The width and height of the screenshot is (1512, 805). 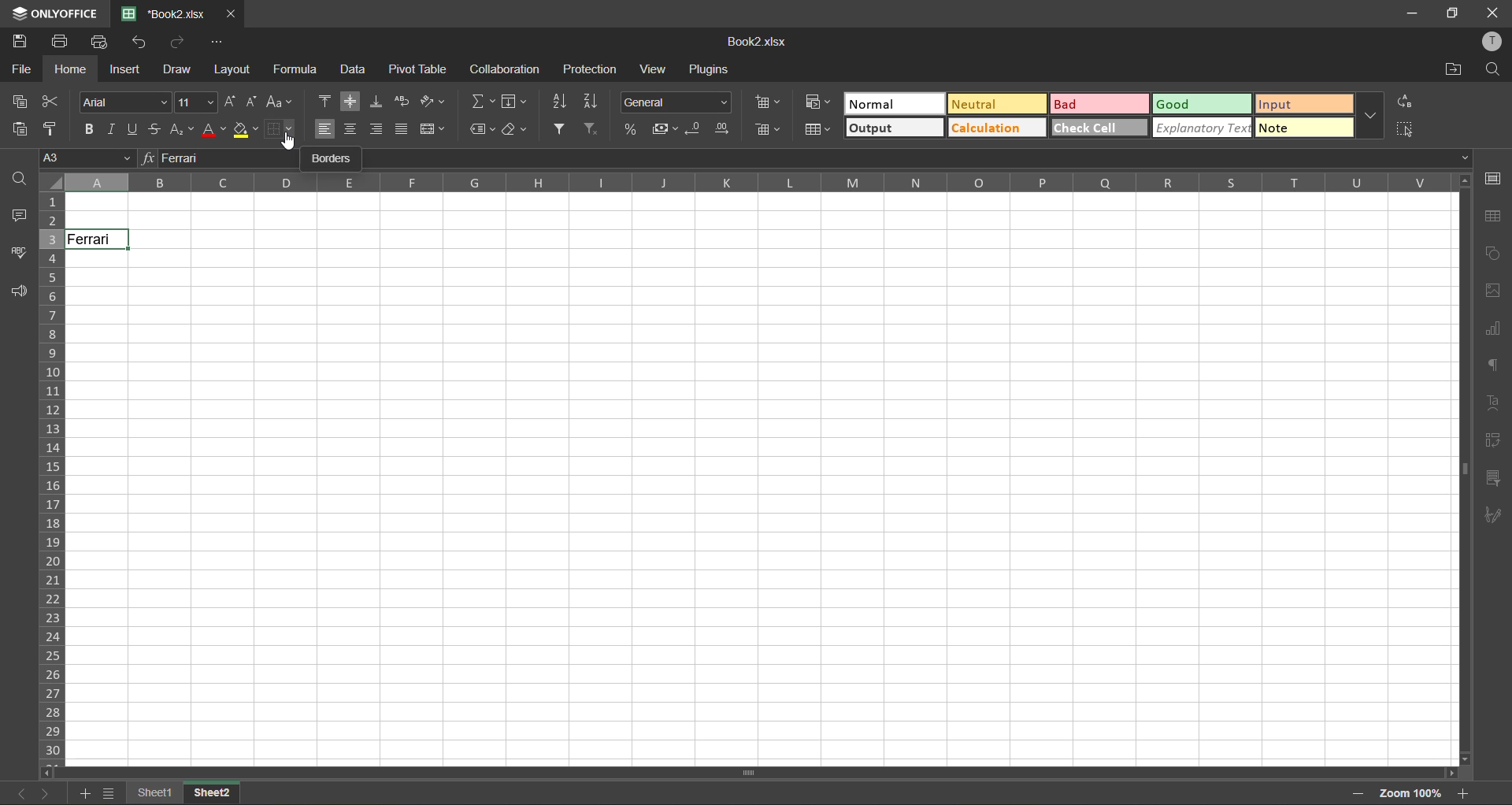 What do you see at coordinates (431, 98) in the screenshot?
I see `orientation` at bounding box center [431, 98].